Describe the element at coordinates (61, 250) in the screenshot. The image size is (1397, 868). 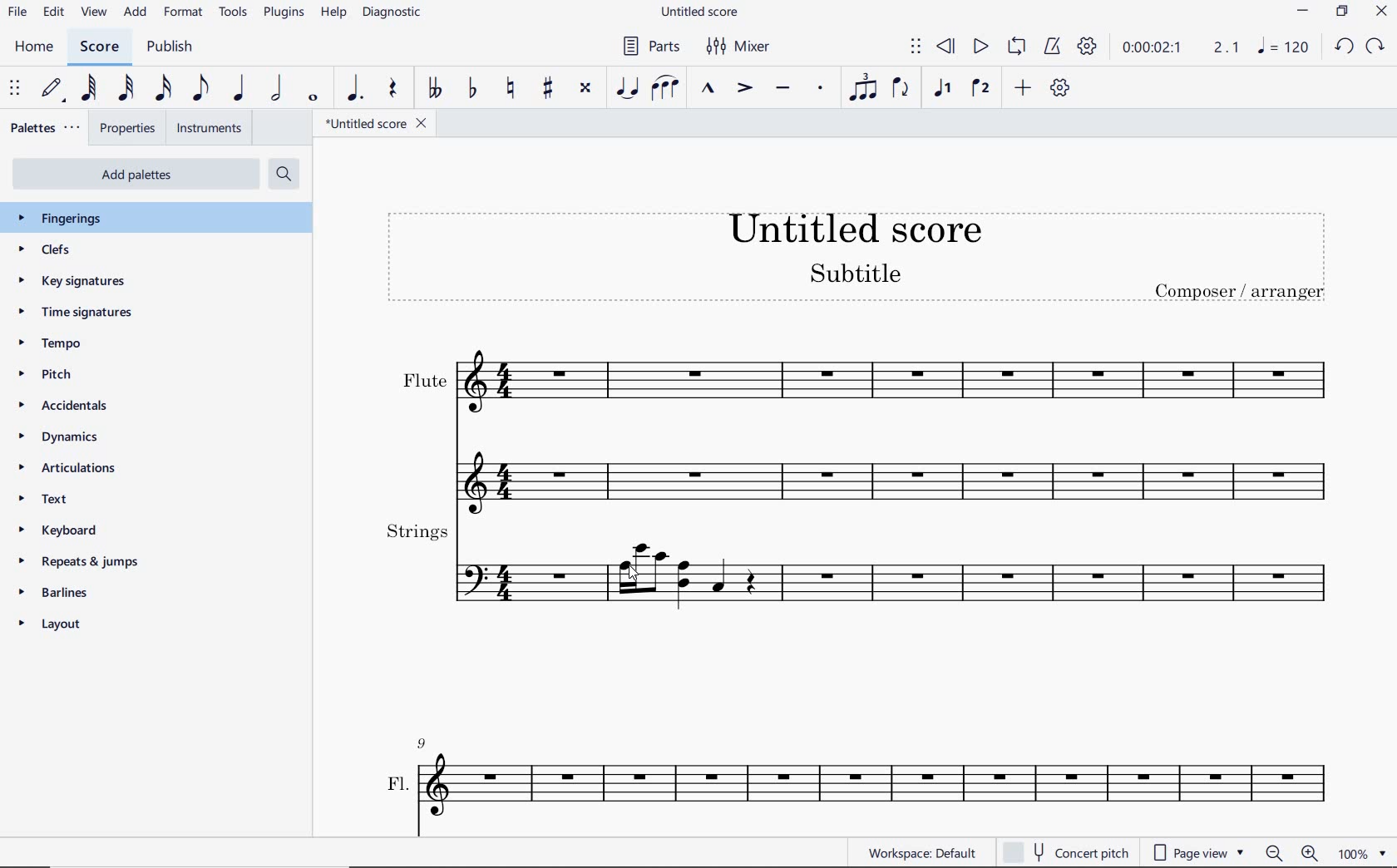
I see `clefs` at that location.